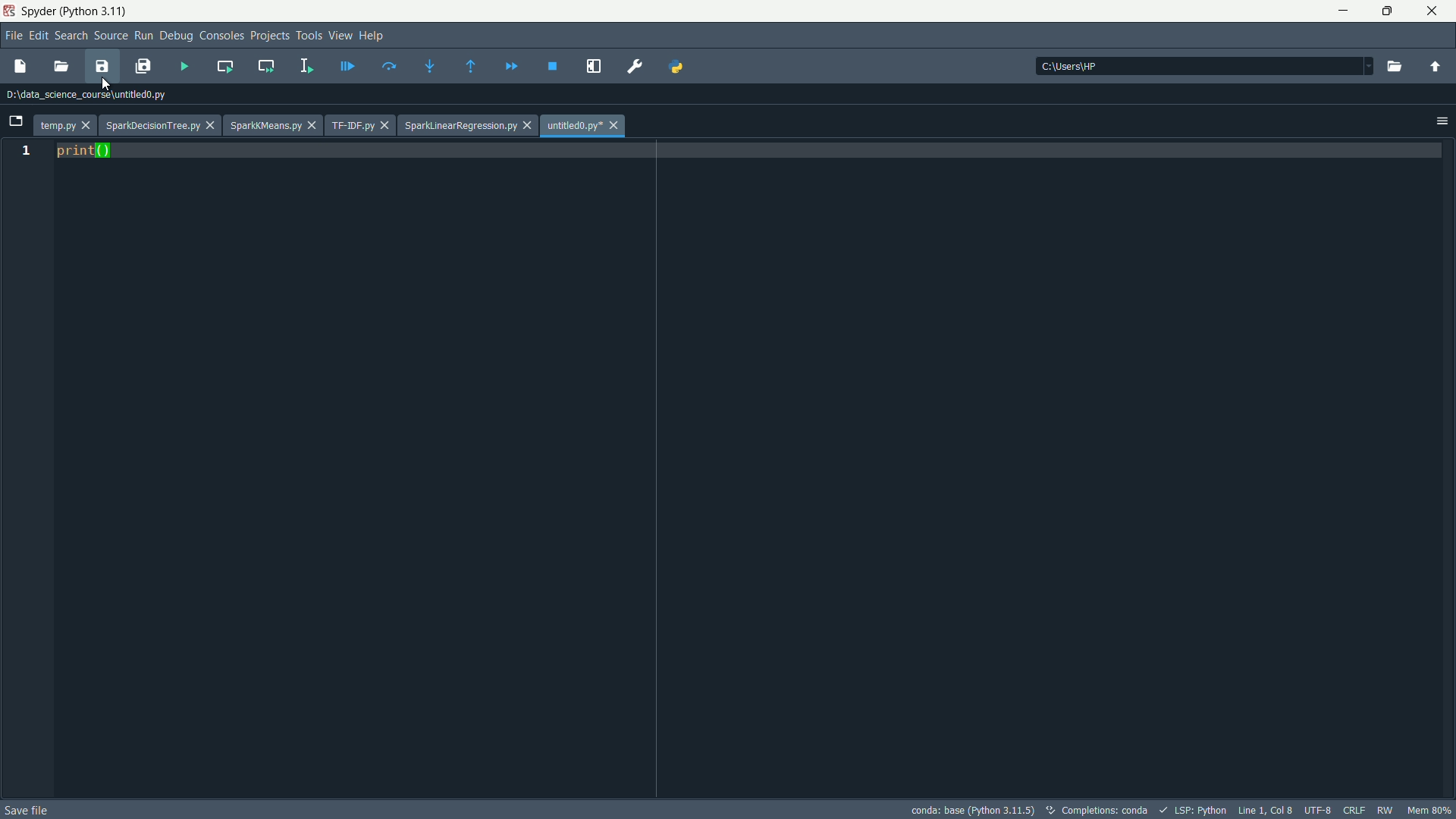  I want to click on File, so click(17, 38).